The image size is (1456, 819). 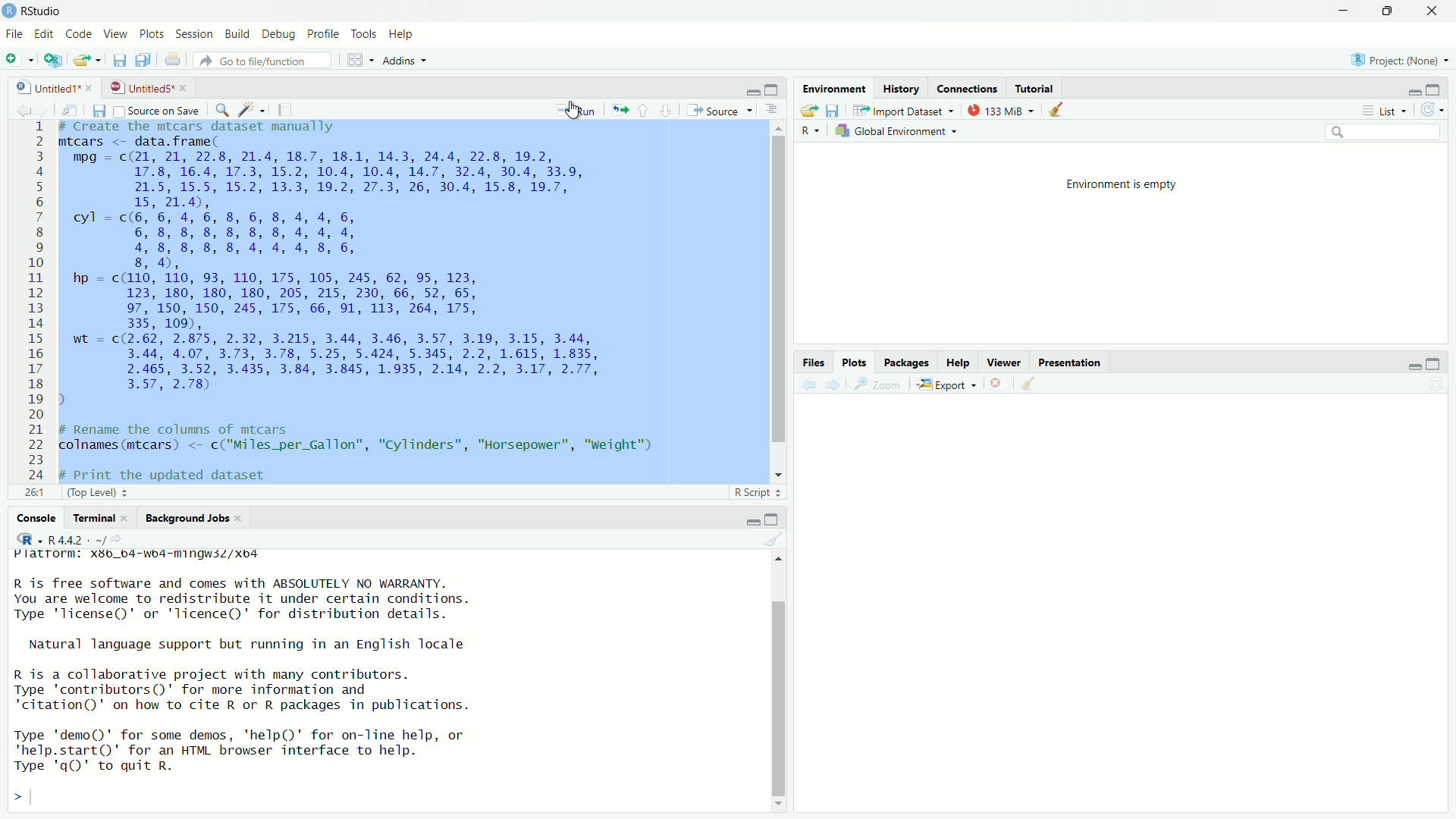 I want to click on Code, so click(x=79, y=33).